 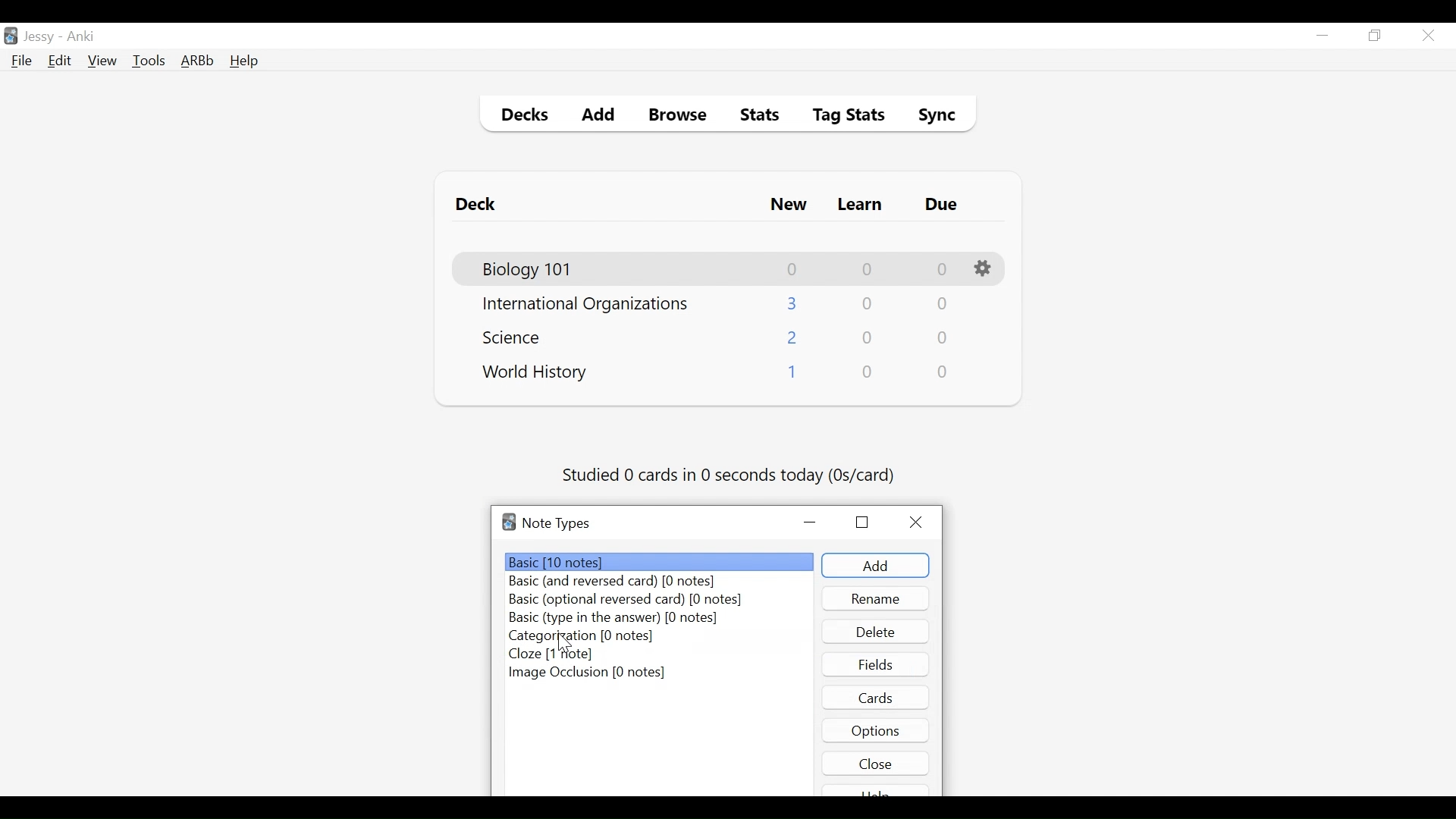 I want to click on minimize, so click(x=811, y=523).